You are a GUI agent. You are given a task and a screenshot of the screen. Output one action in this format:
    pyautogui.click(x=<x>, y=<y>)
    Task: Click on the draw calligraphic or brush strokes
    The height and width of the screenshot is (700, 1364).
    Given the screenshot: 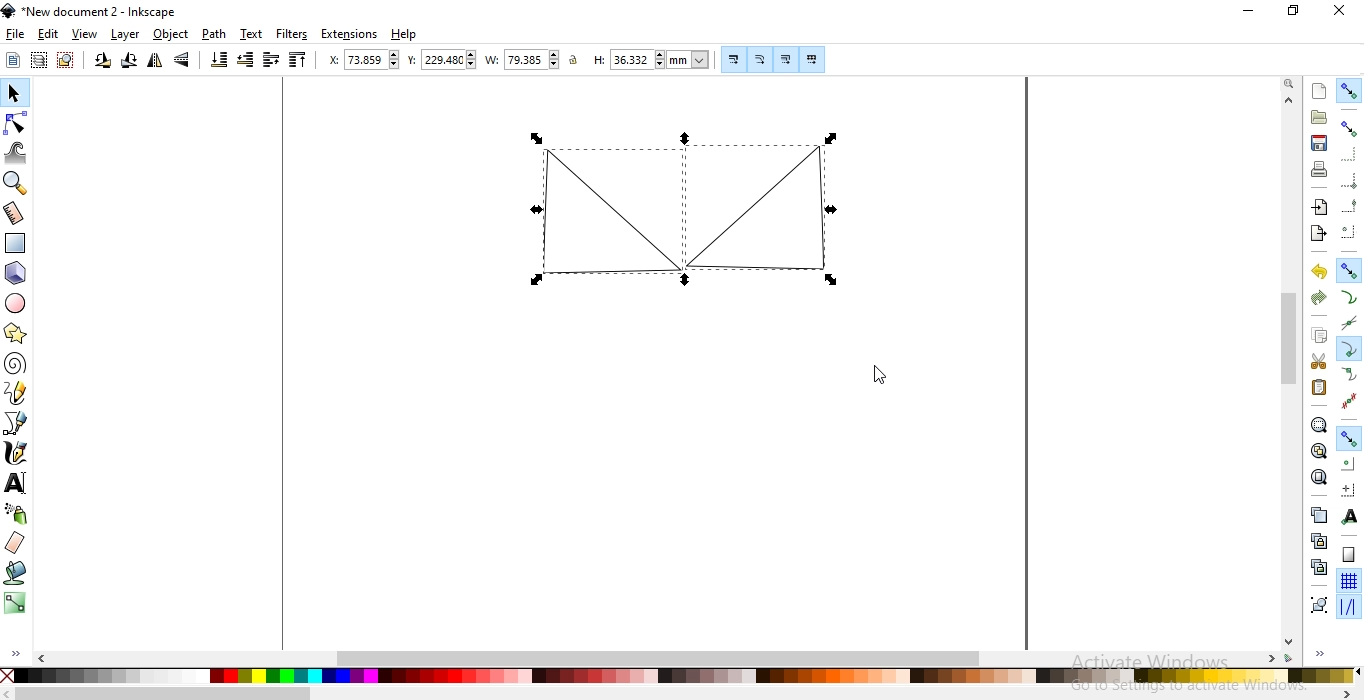 What is the action you would take?
    pyautogui.click(x=16, y=453)
    